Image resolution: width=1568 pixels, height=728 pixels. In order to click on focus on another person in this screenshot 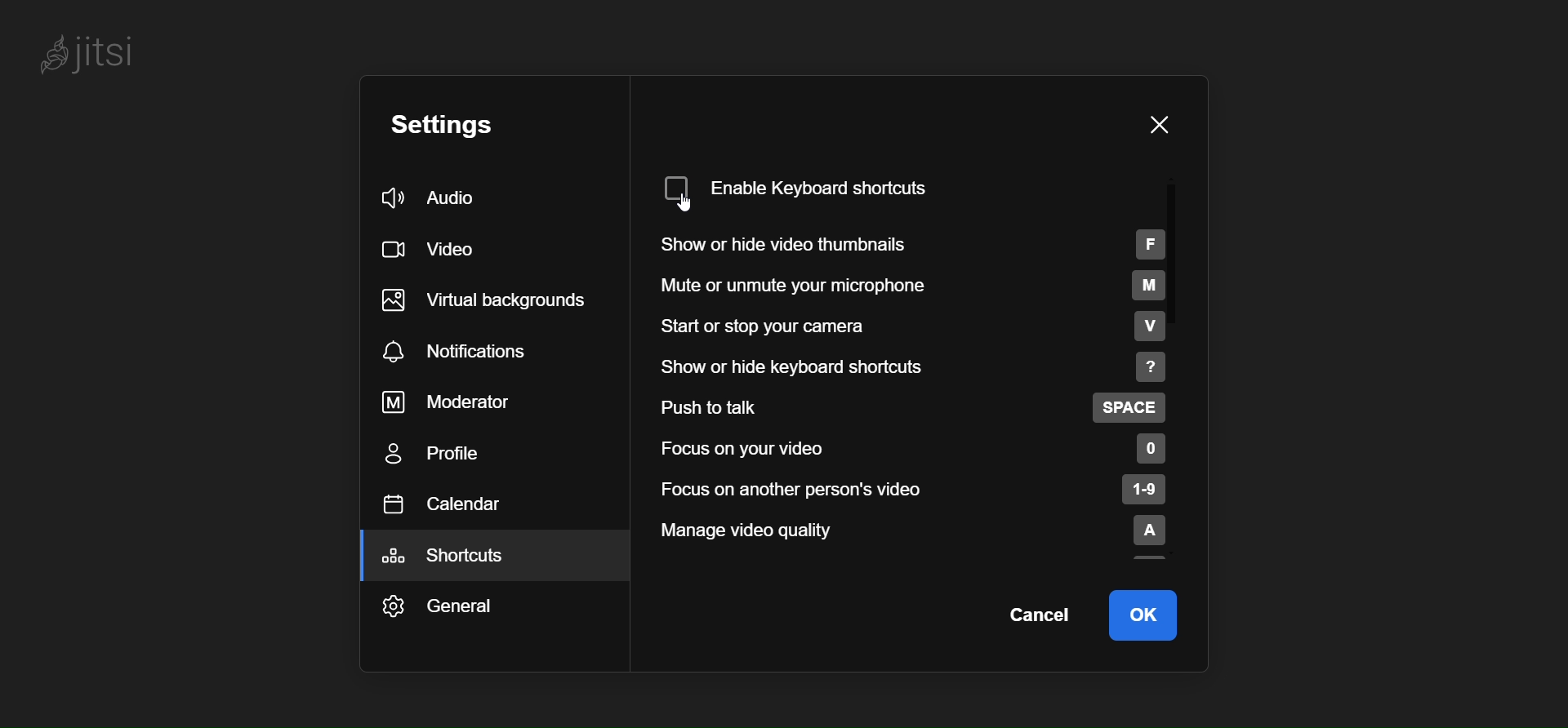, I will do `click(917, 490)`.